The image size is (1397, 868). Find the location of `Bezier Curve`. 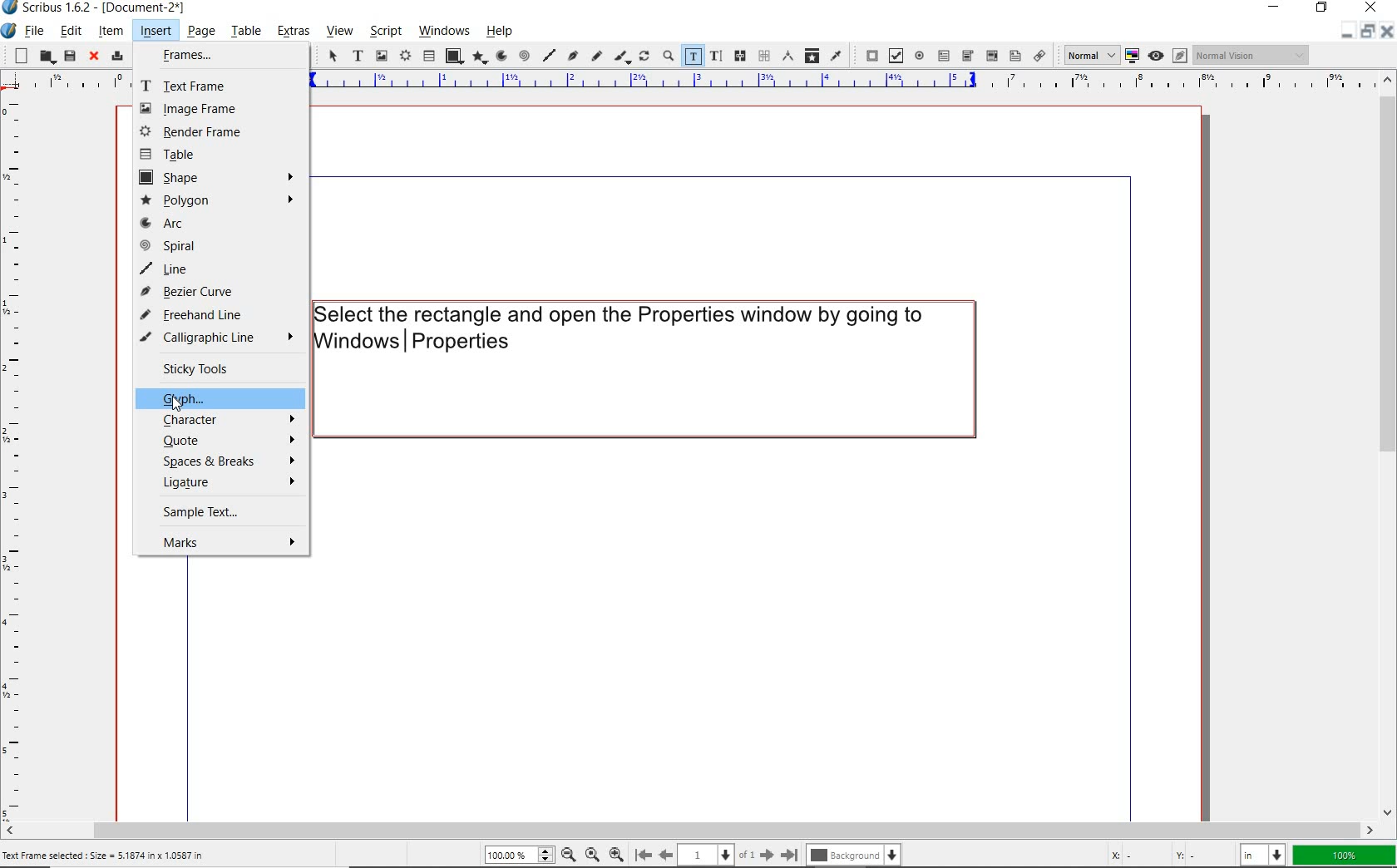

Bezier Curve is located at coordinates (201, 290).